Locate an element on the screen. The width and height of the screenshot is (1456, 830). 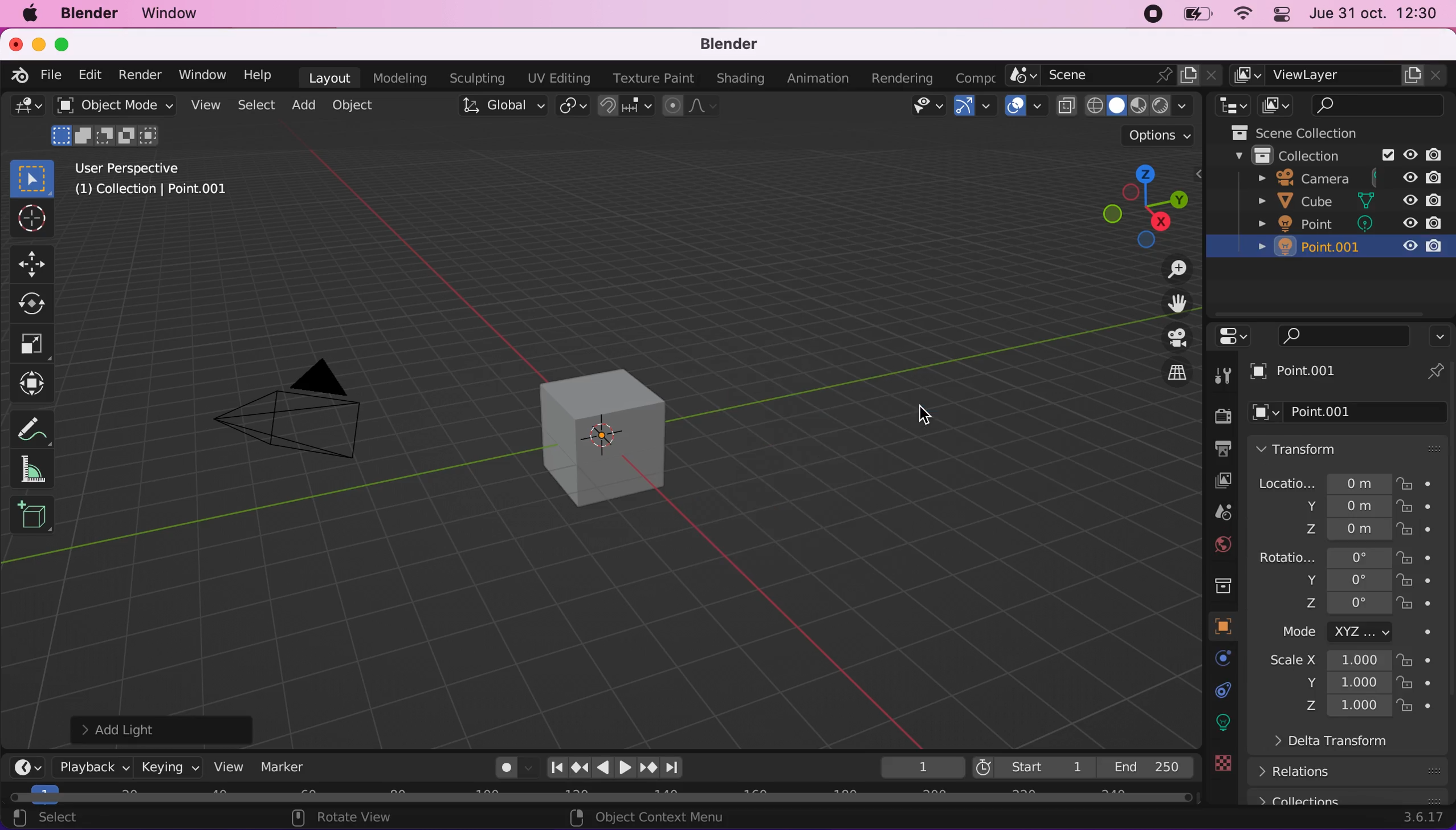
active workspace is located at coordinates (978, 75).